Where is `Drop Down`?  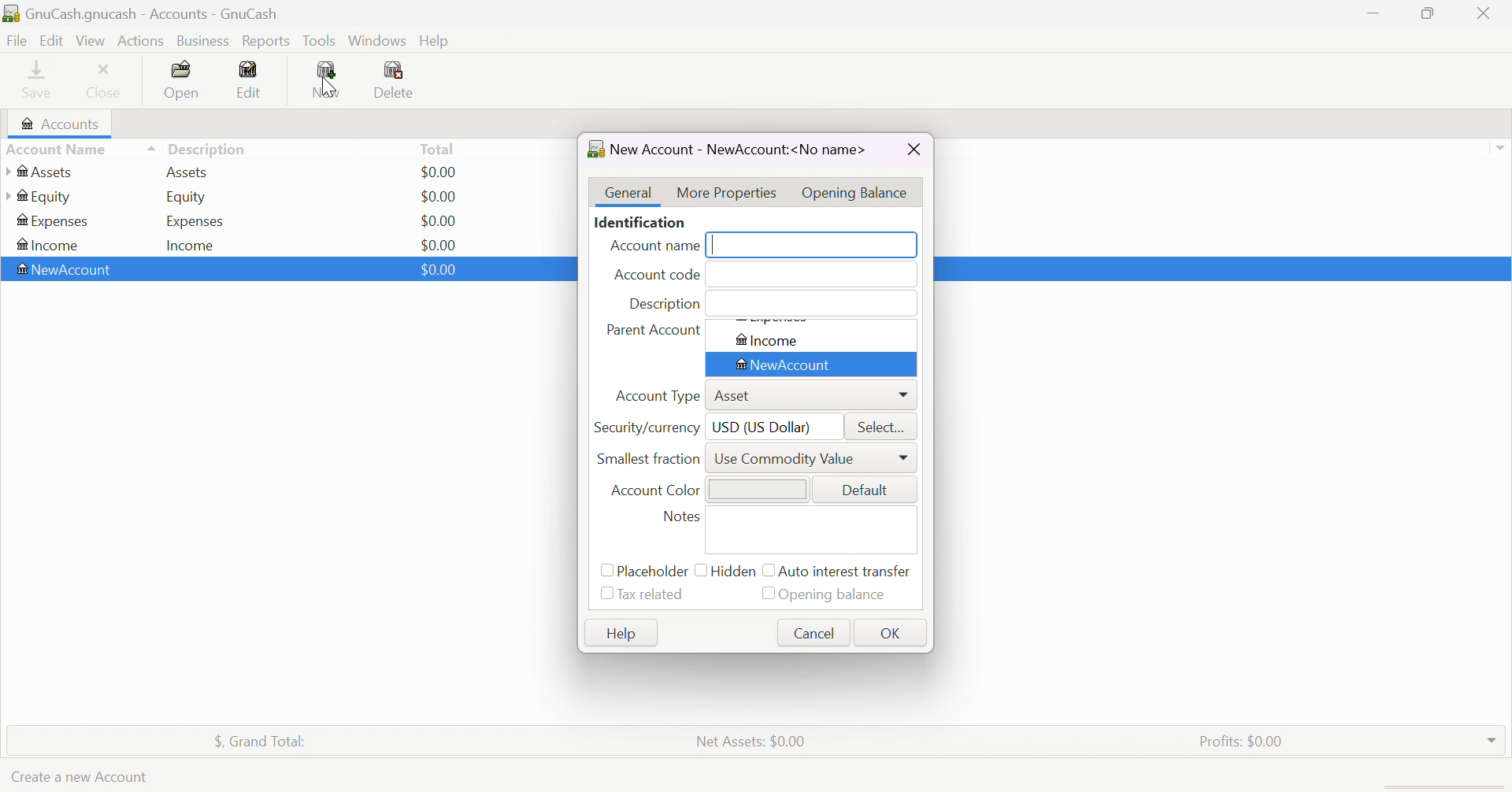 Drop Down is located at coordinates (900, 393).